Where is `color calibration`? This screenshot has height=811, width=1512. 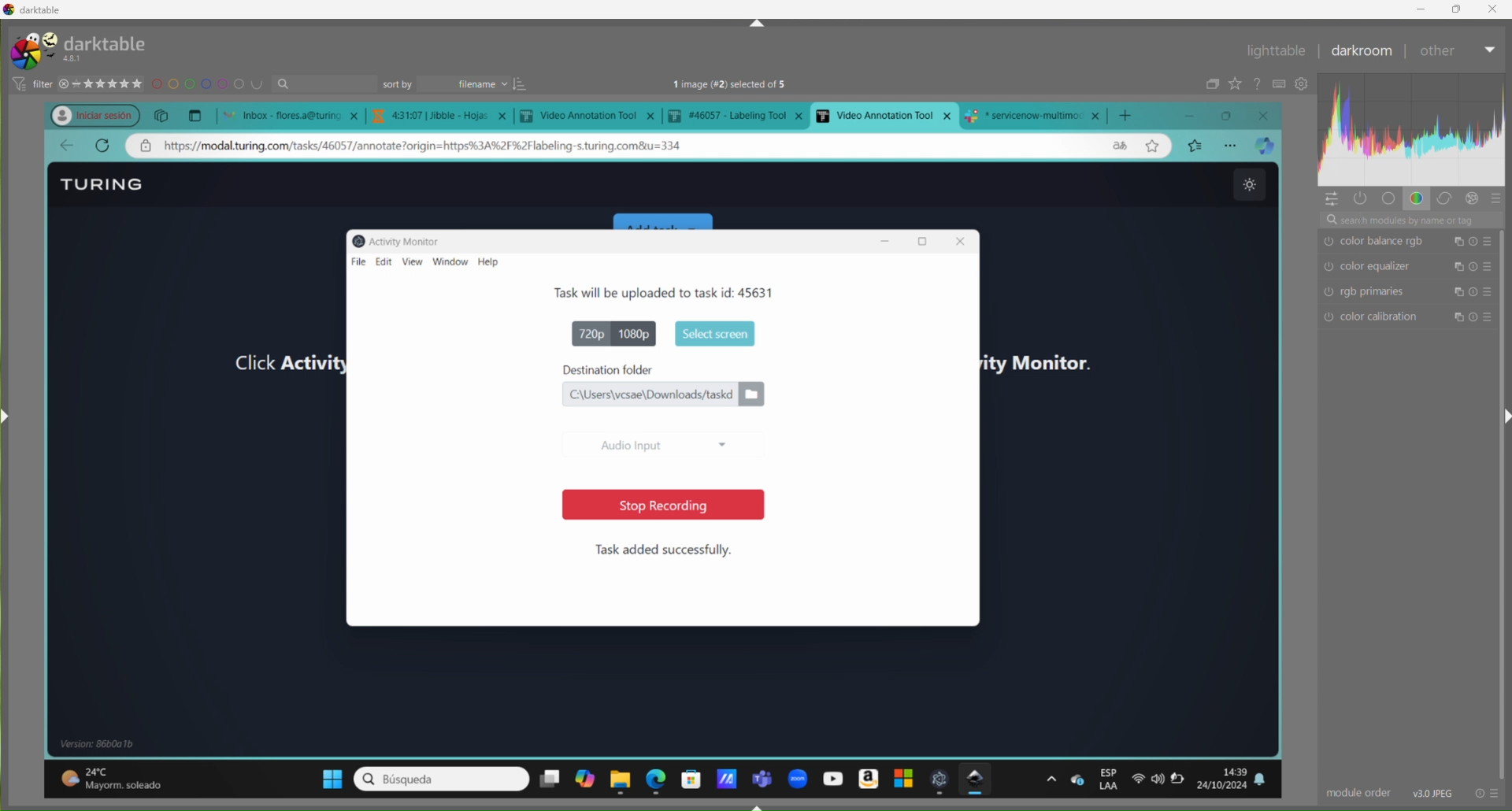
color calibration is located at coordinates (1412, 319).